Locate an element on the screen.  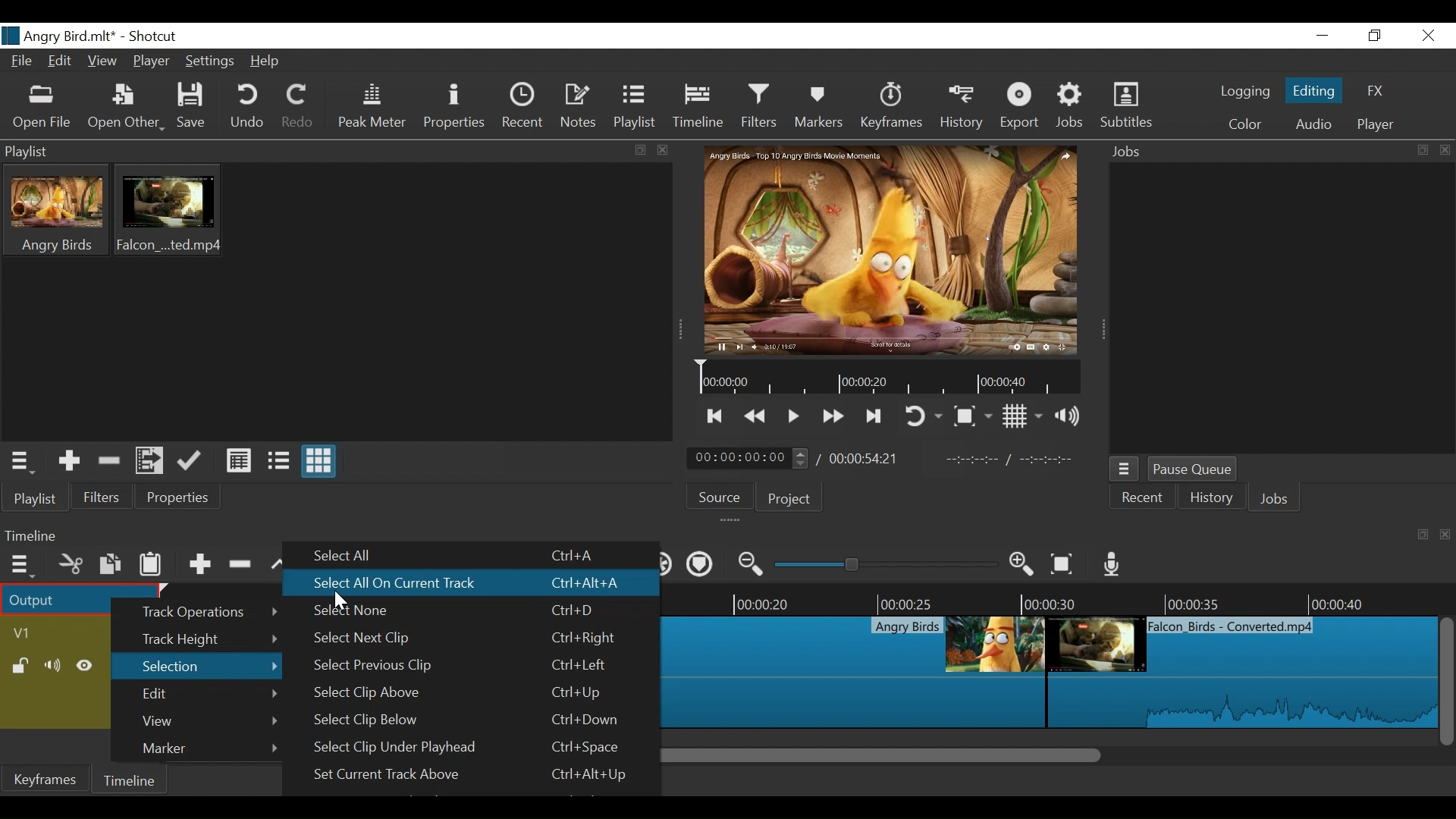
Select Next Clip is located at coordinates (481, 638).